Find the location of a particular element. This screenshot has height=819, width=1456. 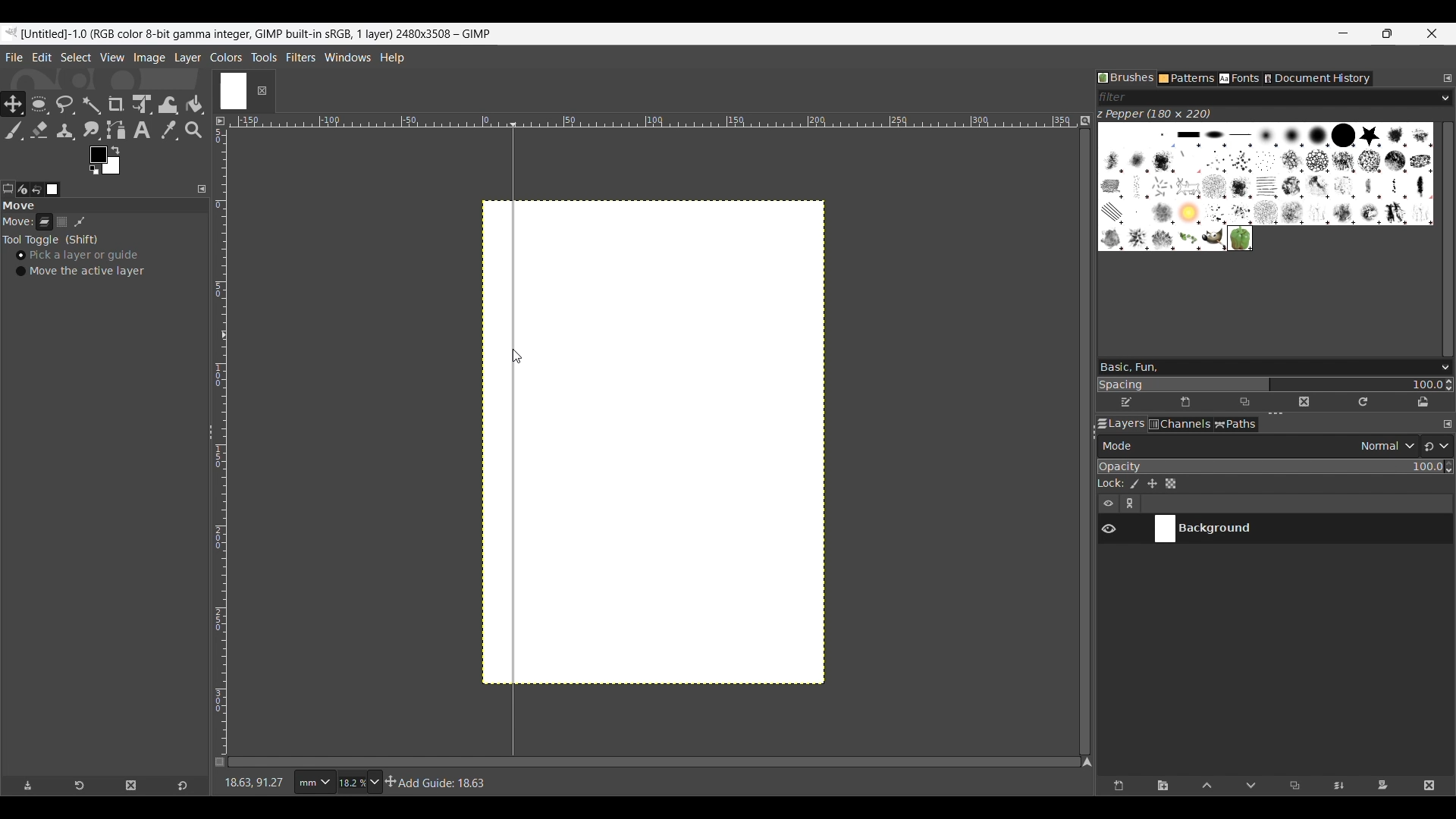

Free select tool is located at coordinates (64, 104).